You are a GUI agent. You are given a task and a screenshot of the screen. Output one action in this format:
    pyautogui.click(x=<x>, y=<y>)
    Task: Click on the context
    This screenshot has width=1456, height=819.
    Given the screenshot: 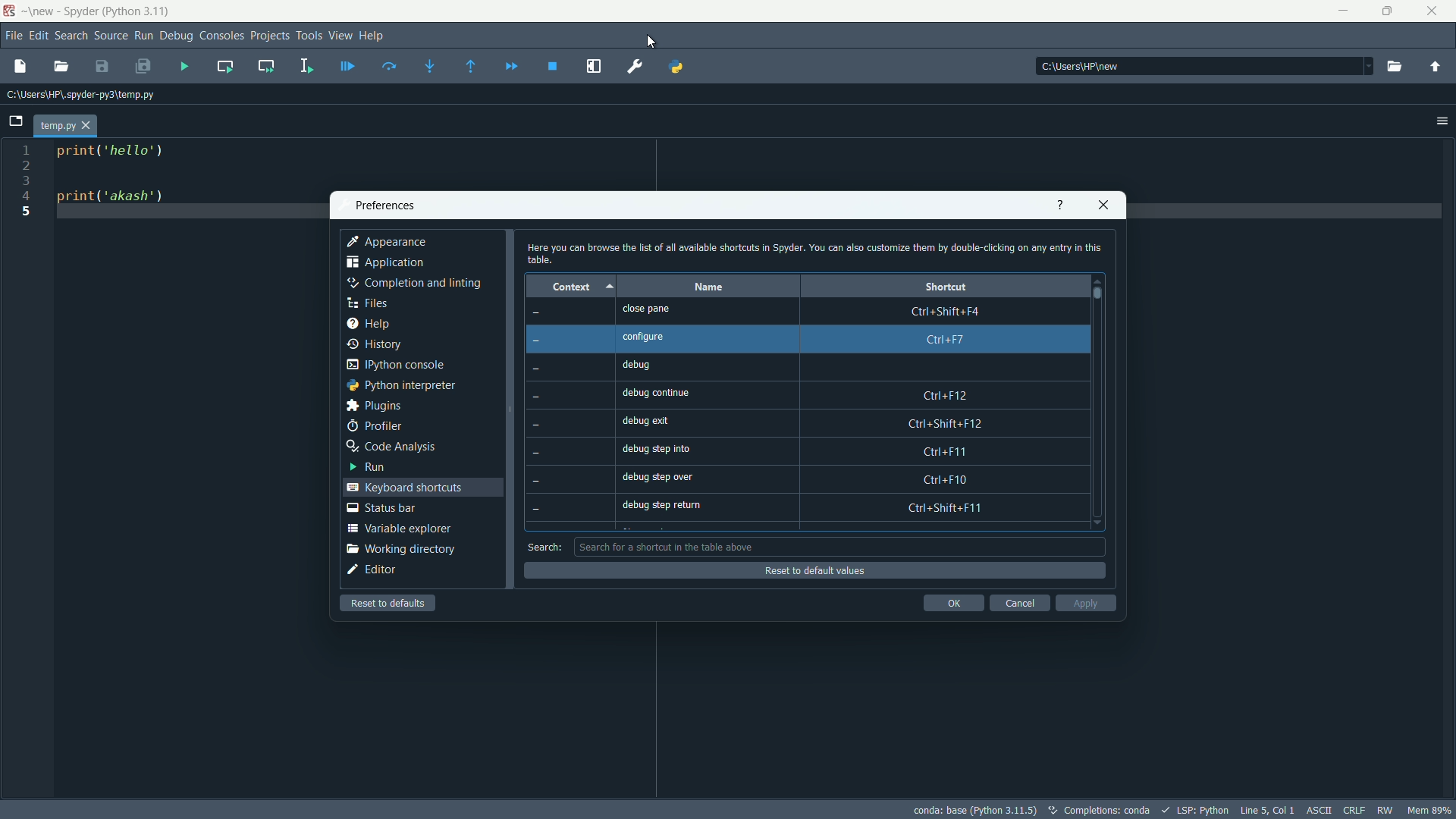 What is the action you would take?
    pyautogui.click(x=568, y=286)
    